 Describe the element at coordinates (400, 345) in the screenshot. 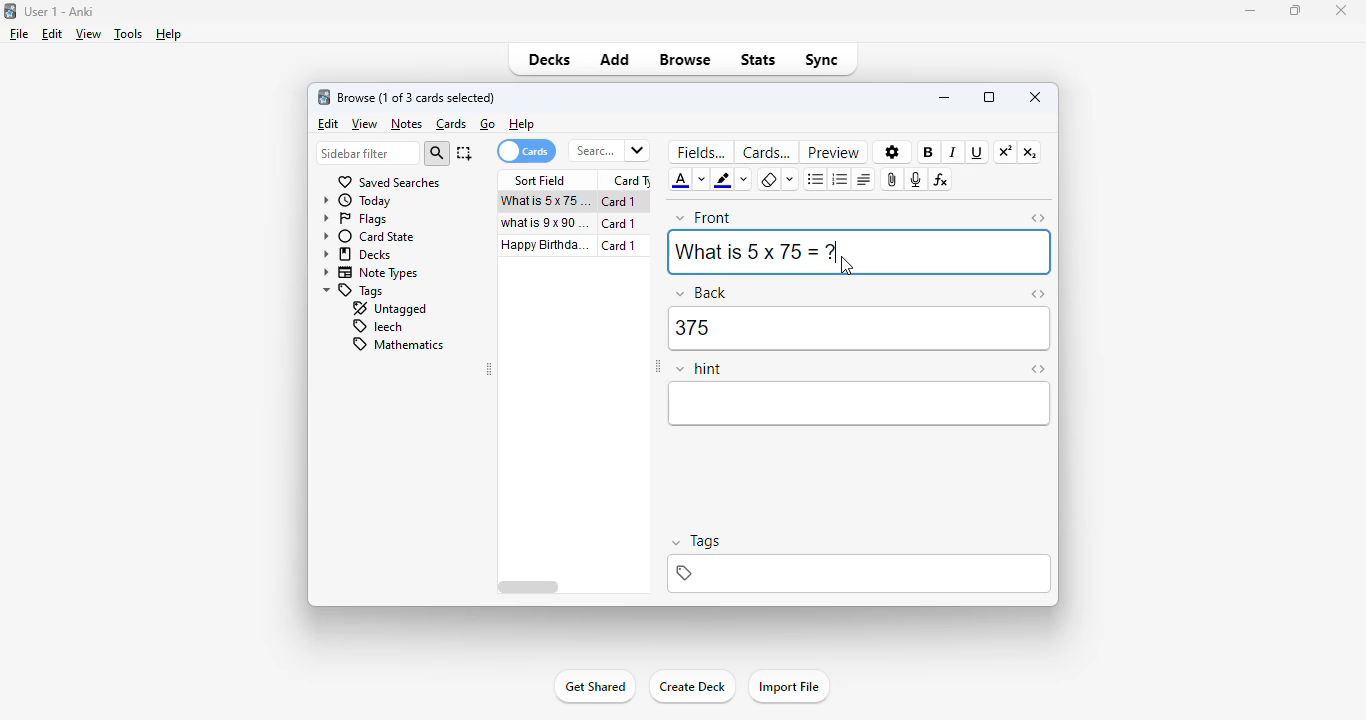

I see `mathematics` at that location.